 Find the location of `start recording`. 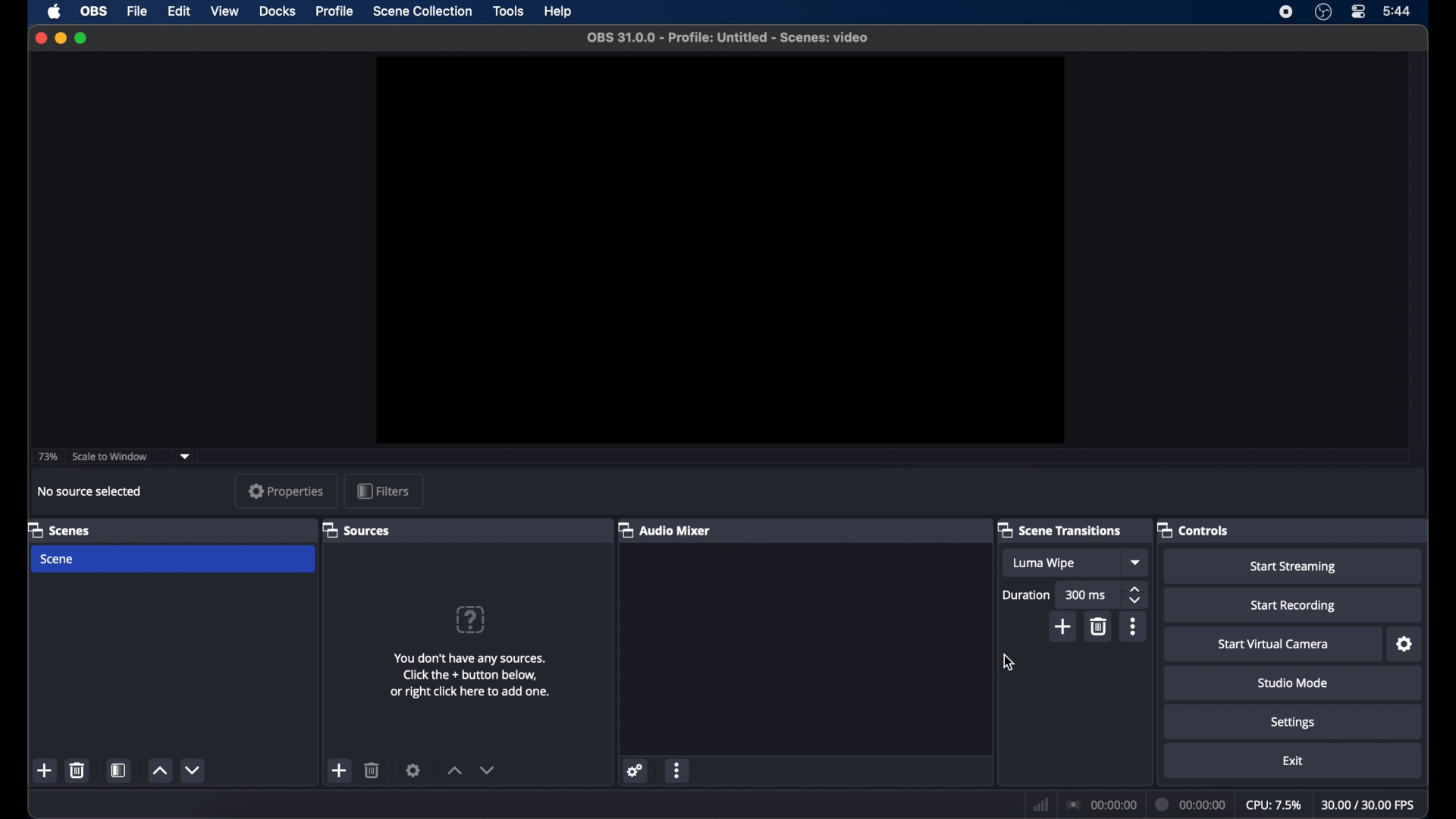

start recording is located at coordinates (1296, 605).